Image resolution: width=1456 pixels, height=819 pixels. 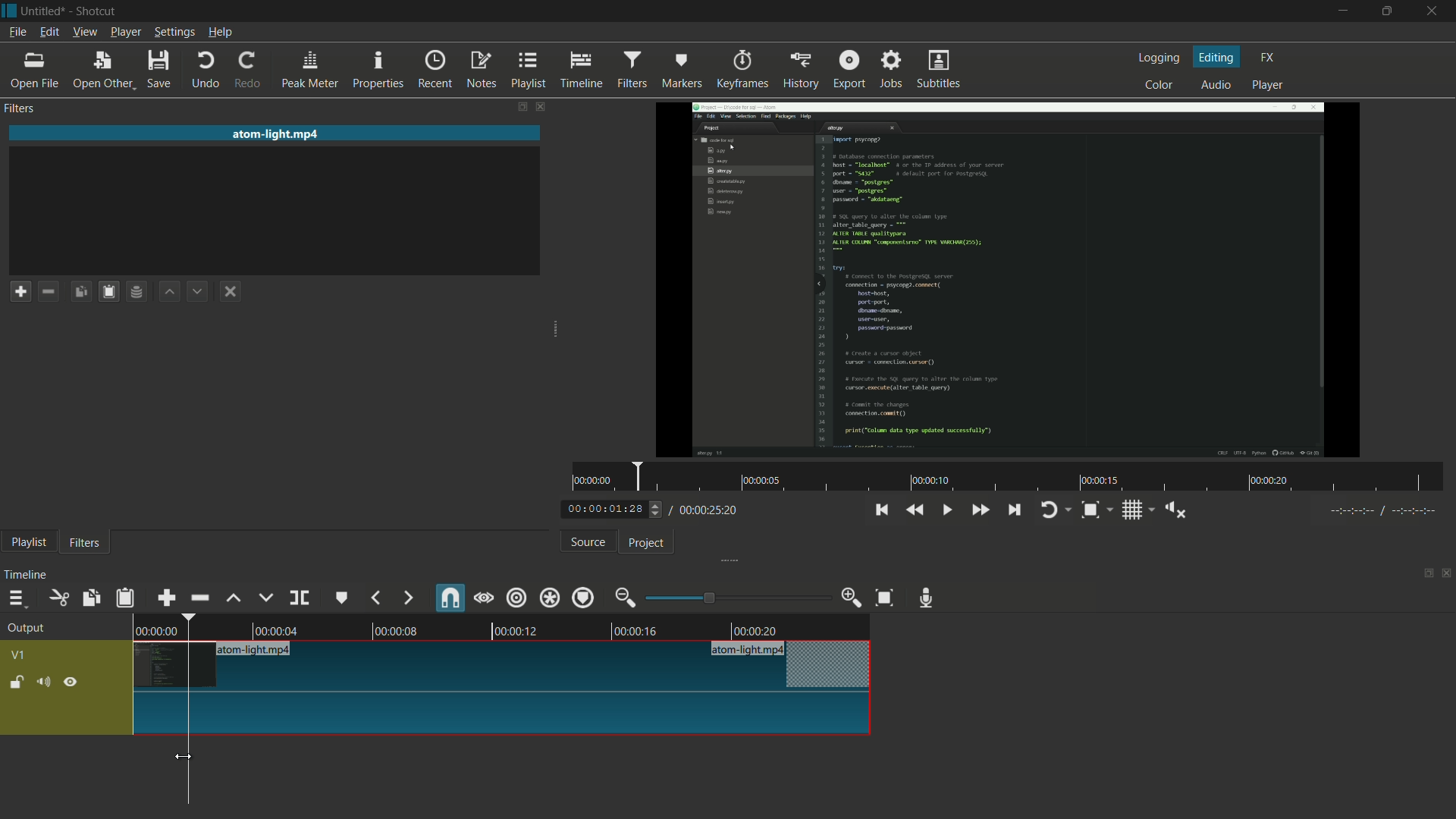 What do you see at coordinates (84, 290) in the screenshot?
I see `copy checked filters` at bounding box center [84, 290].